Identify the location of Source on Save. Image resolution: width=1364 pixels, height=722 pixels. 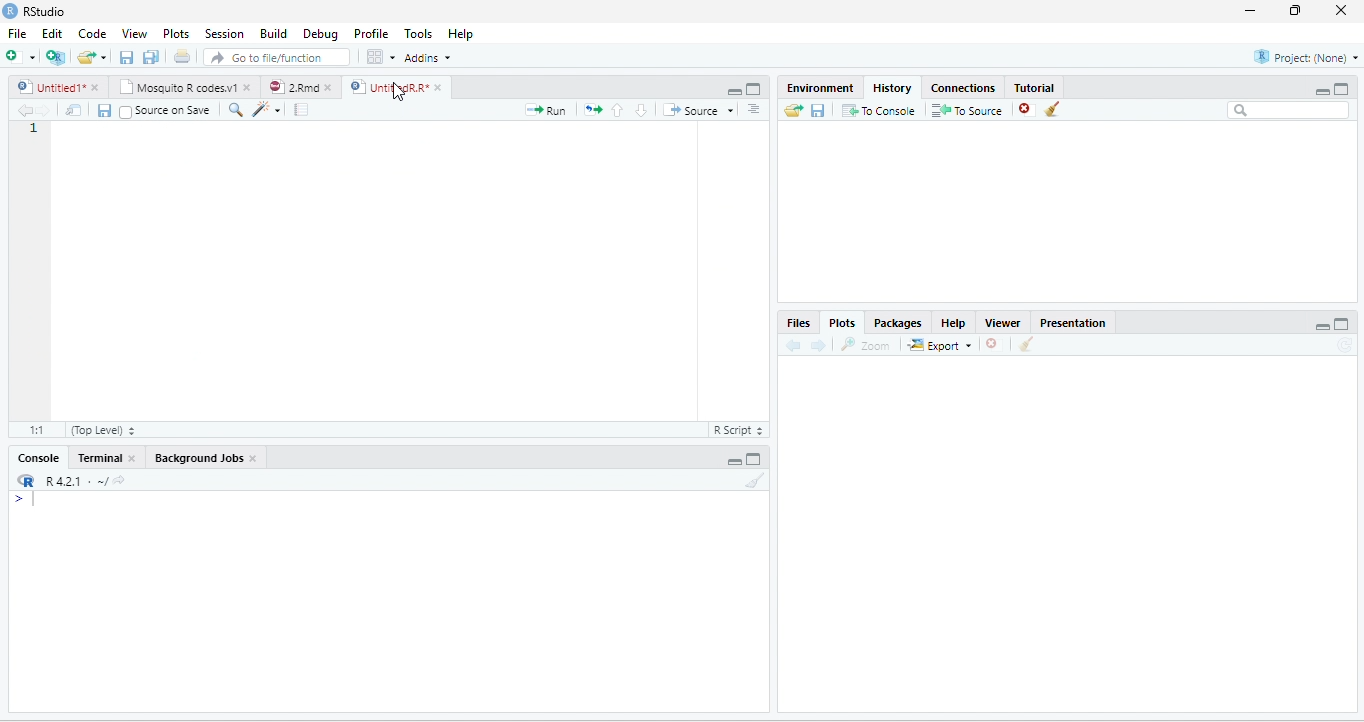
(166, 112).